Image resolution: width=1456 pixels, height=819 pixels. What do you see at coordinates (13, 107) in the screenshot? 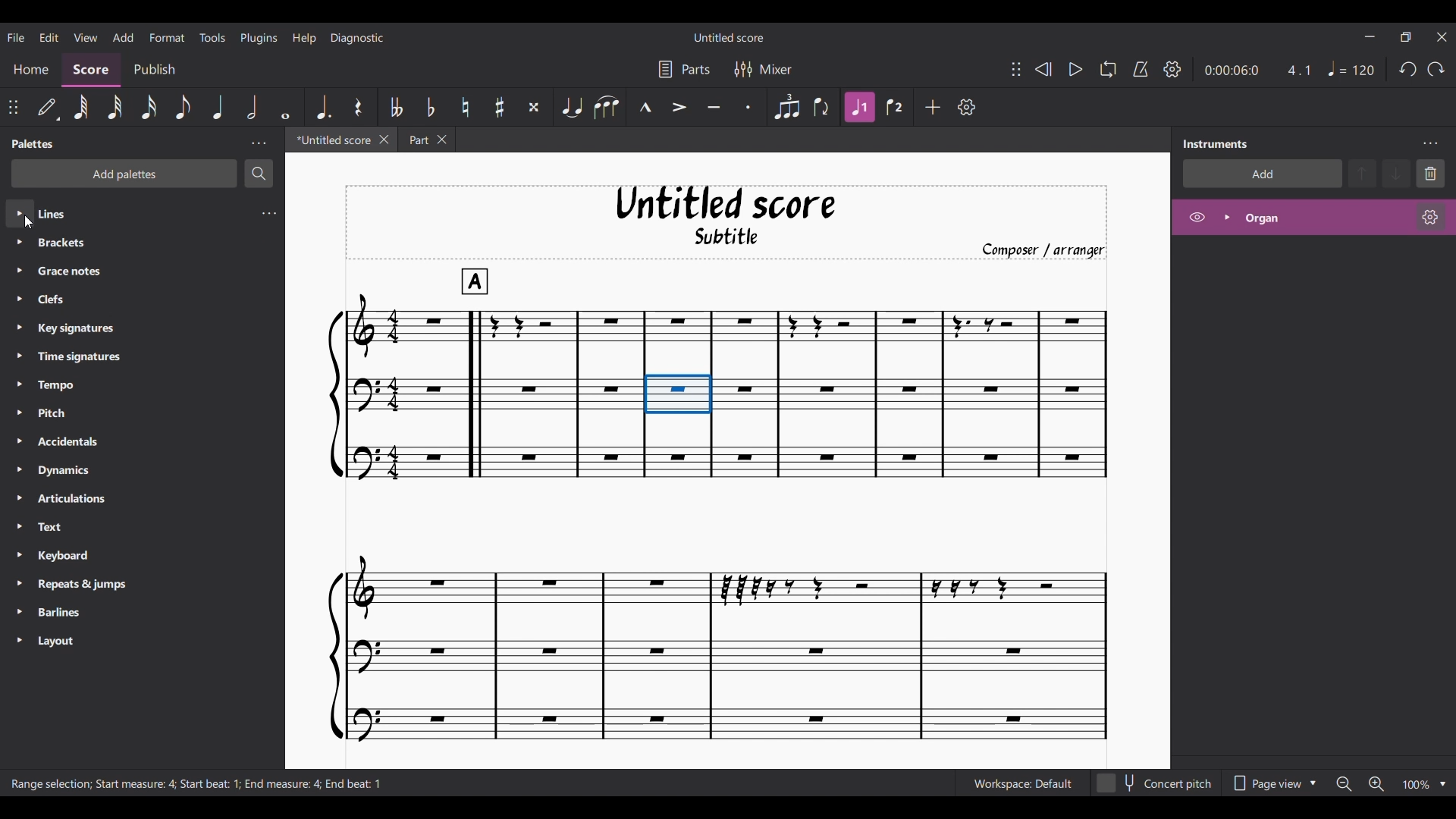
I see `Change position of toolbar attached` at bounding box center [13, 107].